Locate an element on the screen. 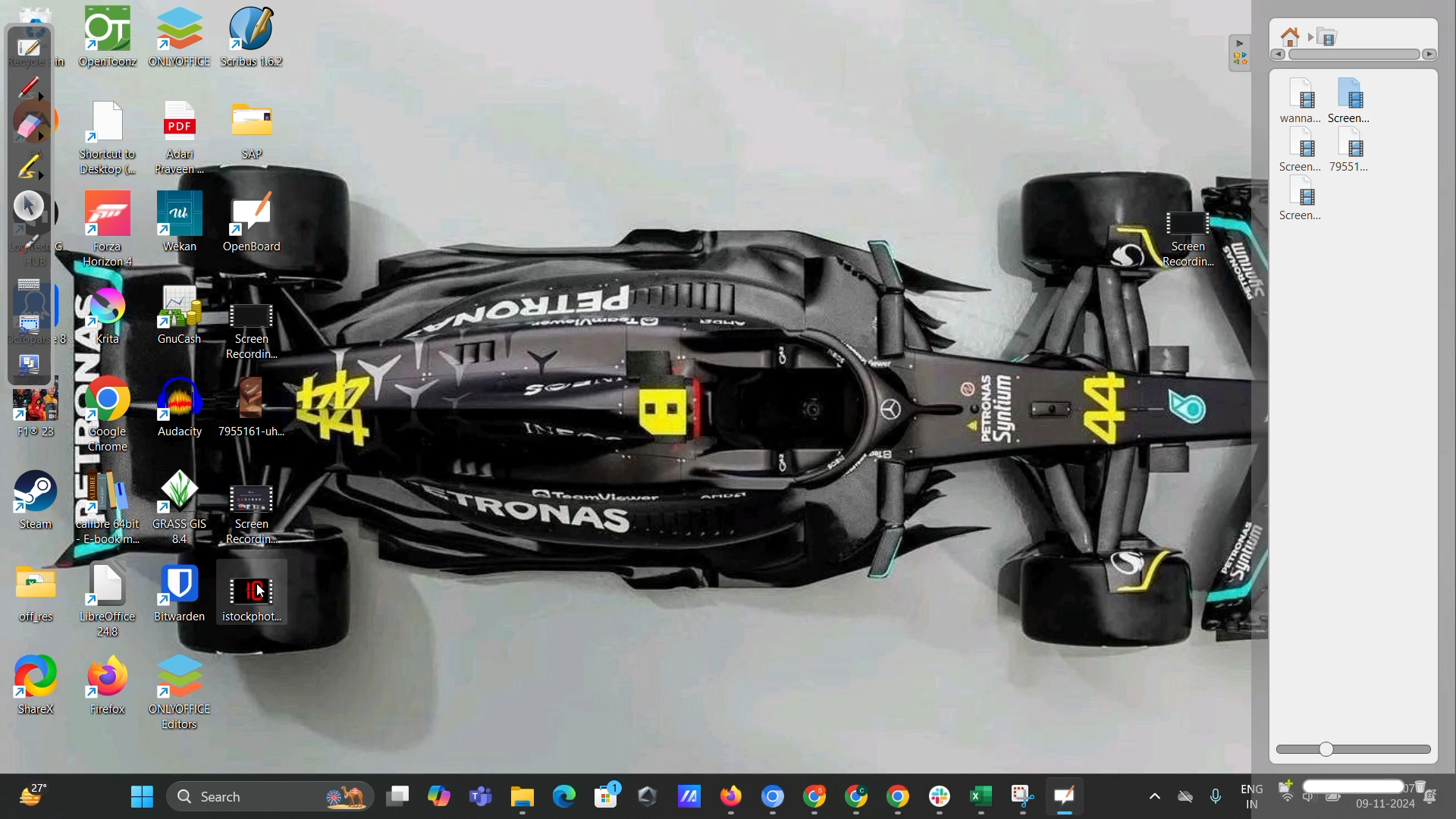 This screenshot has width=1456, height=819. F1®23 is located at coordinates (36, 414).